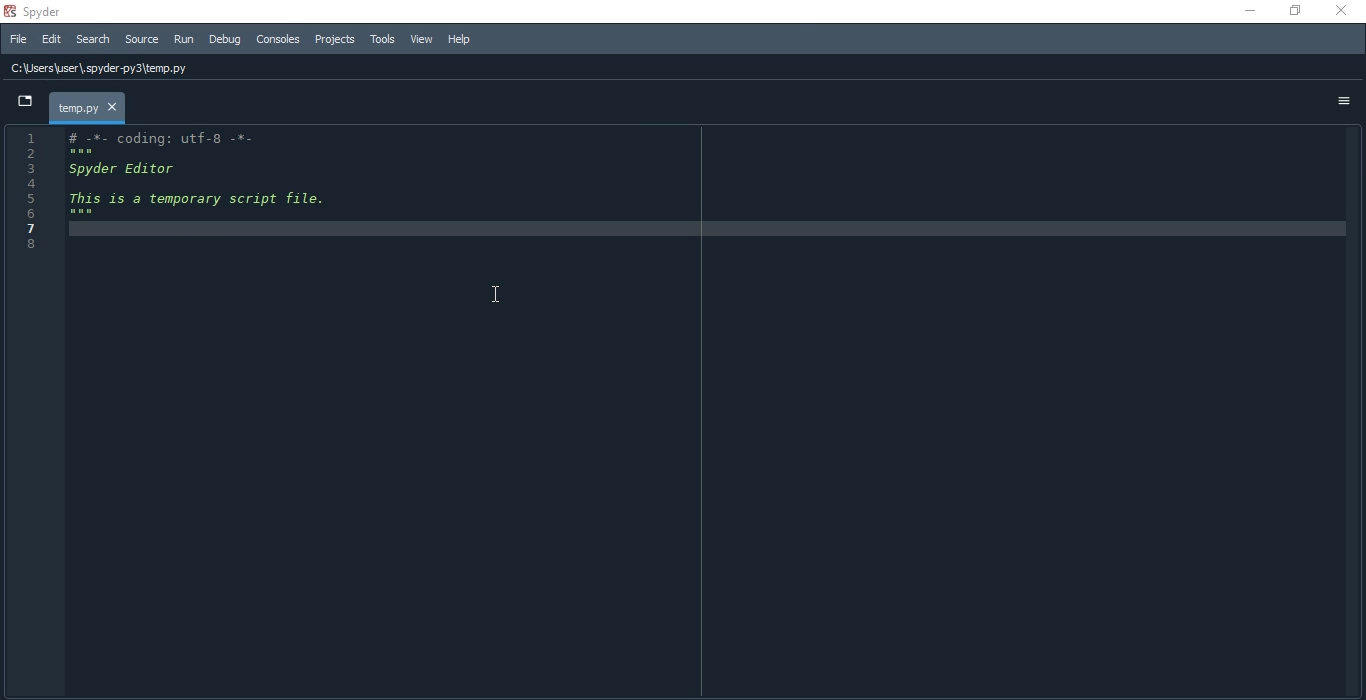  Describe the element at coordinates (140, 39) in the screenshot. I see `source` at that location.